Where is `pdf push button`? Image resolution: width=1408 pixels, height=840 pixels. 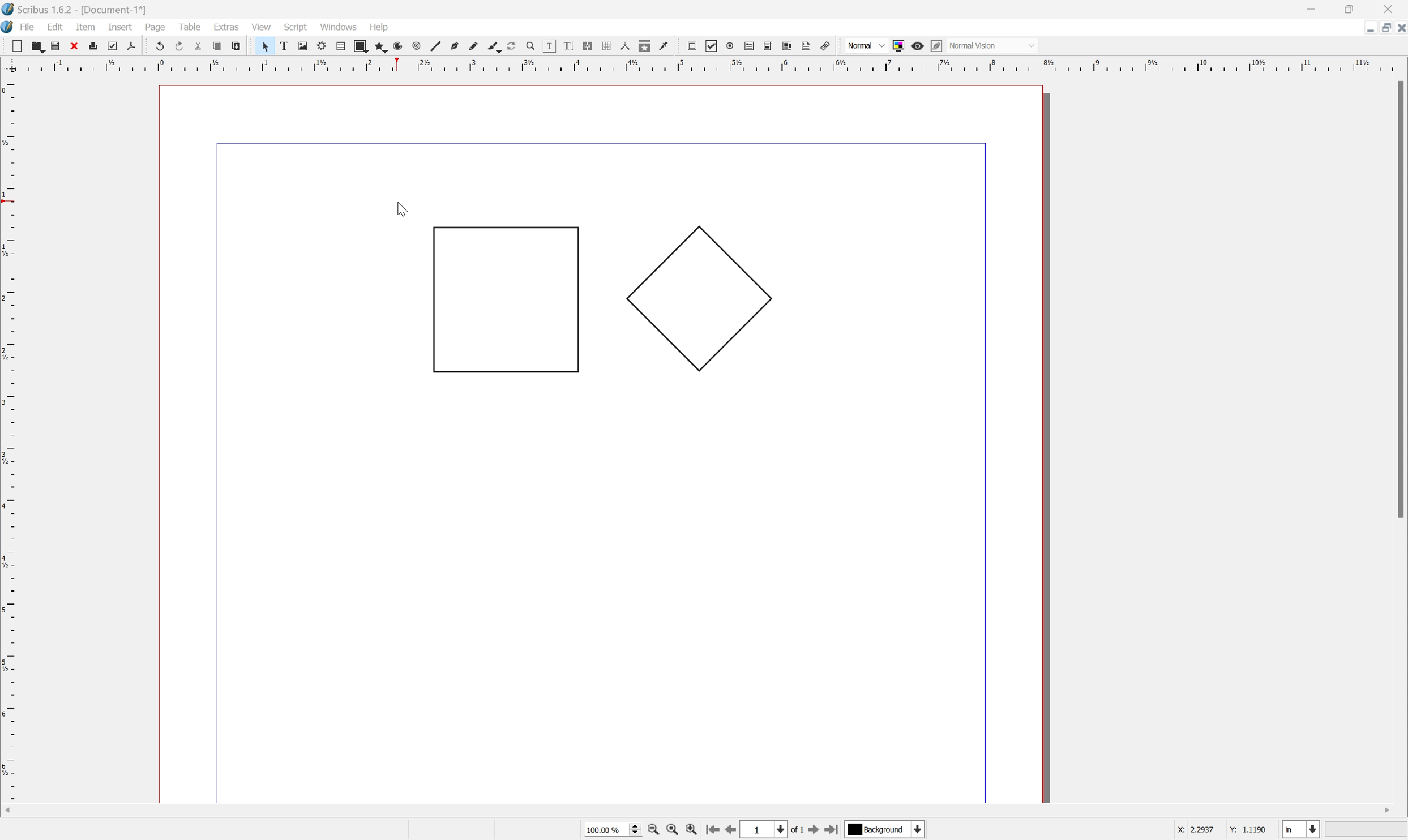
pdf push button is located at coordinates (691, 46).